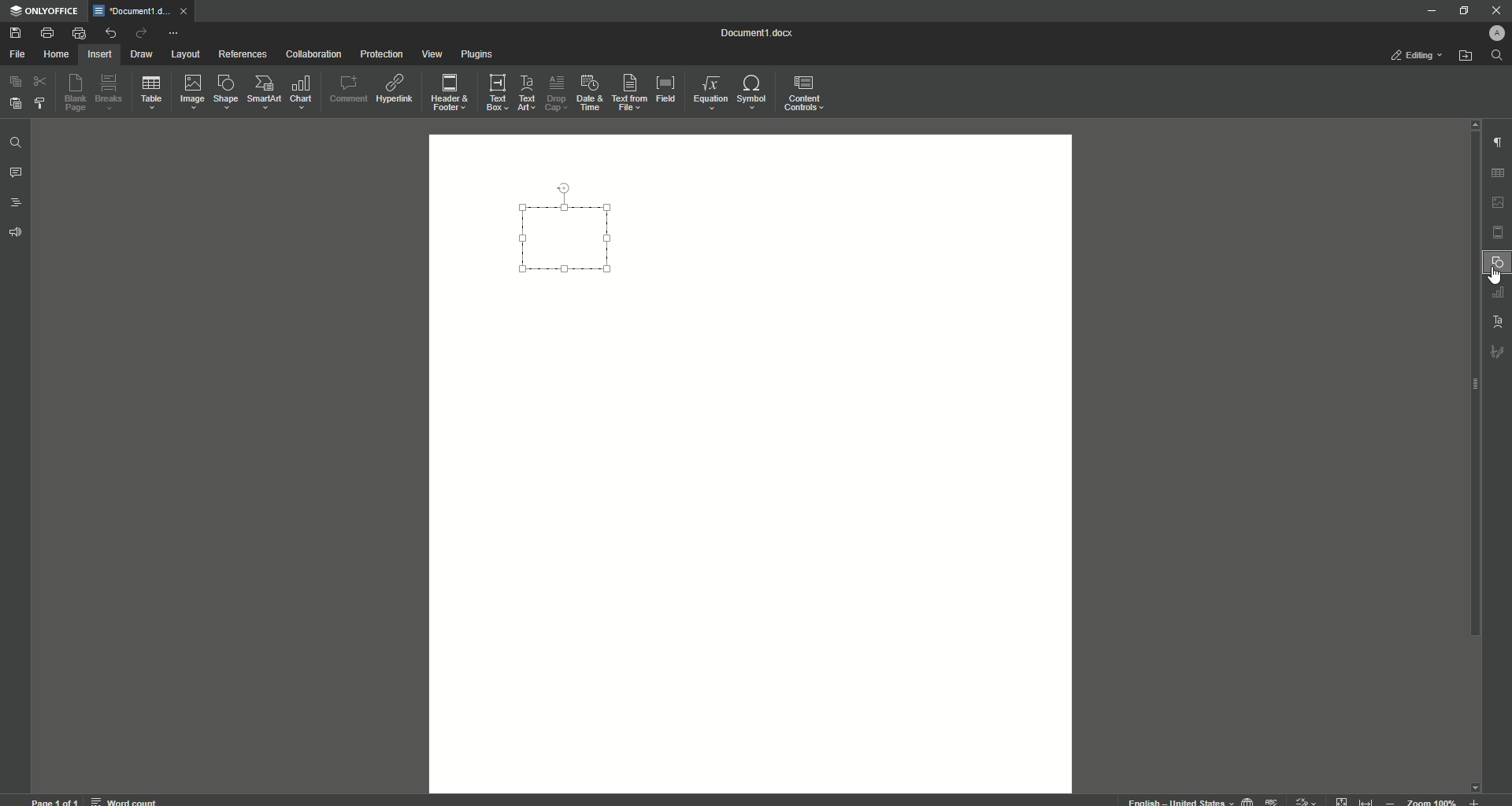 This screenshot has width=1512, height=806. Describe the element at coordinates (1273, 800) in the screenshot. I see `spell checking` at that location.